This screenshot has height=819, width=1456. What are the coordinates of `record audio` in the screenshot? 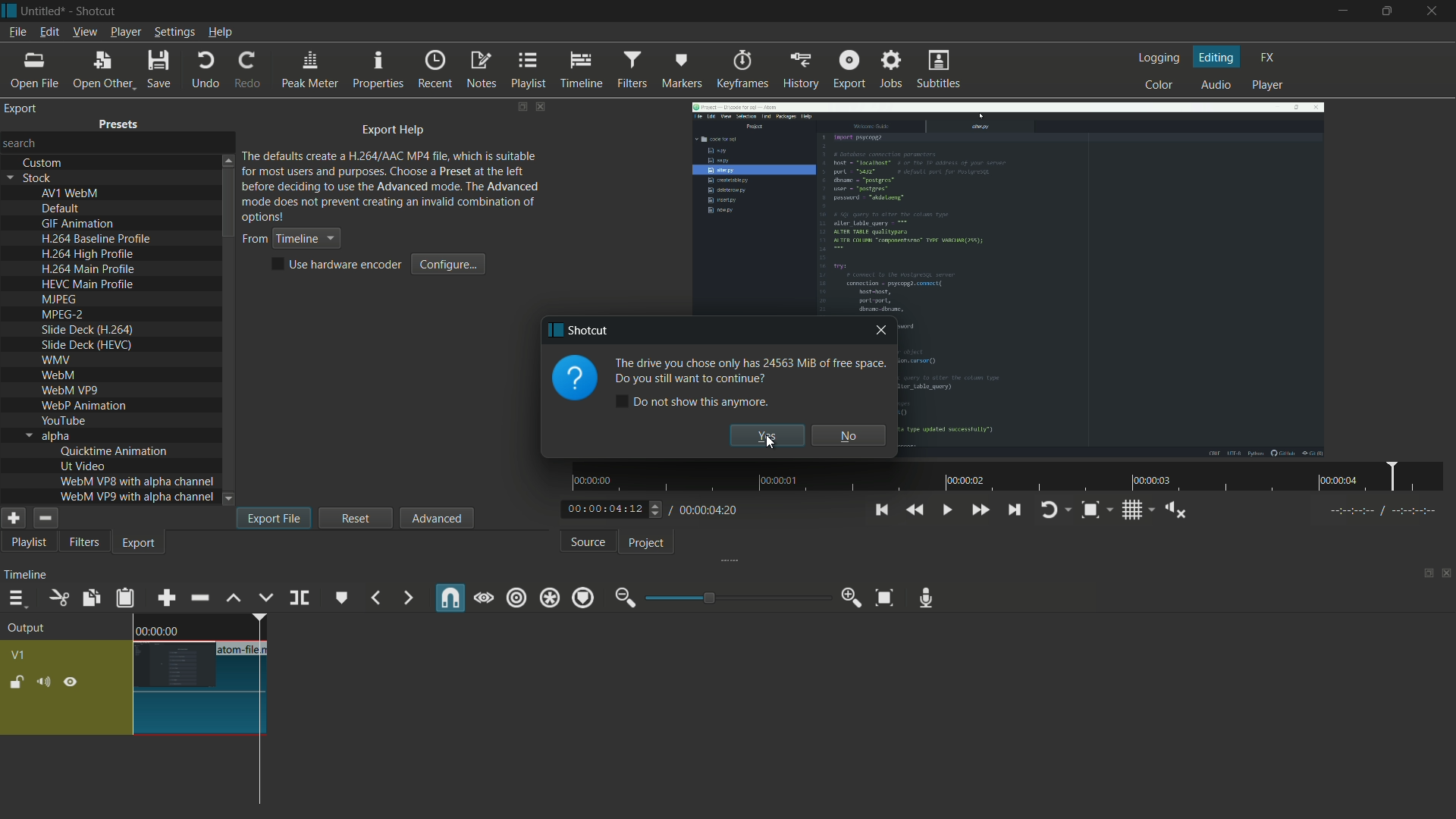 It's located at (927, 598).